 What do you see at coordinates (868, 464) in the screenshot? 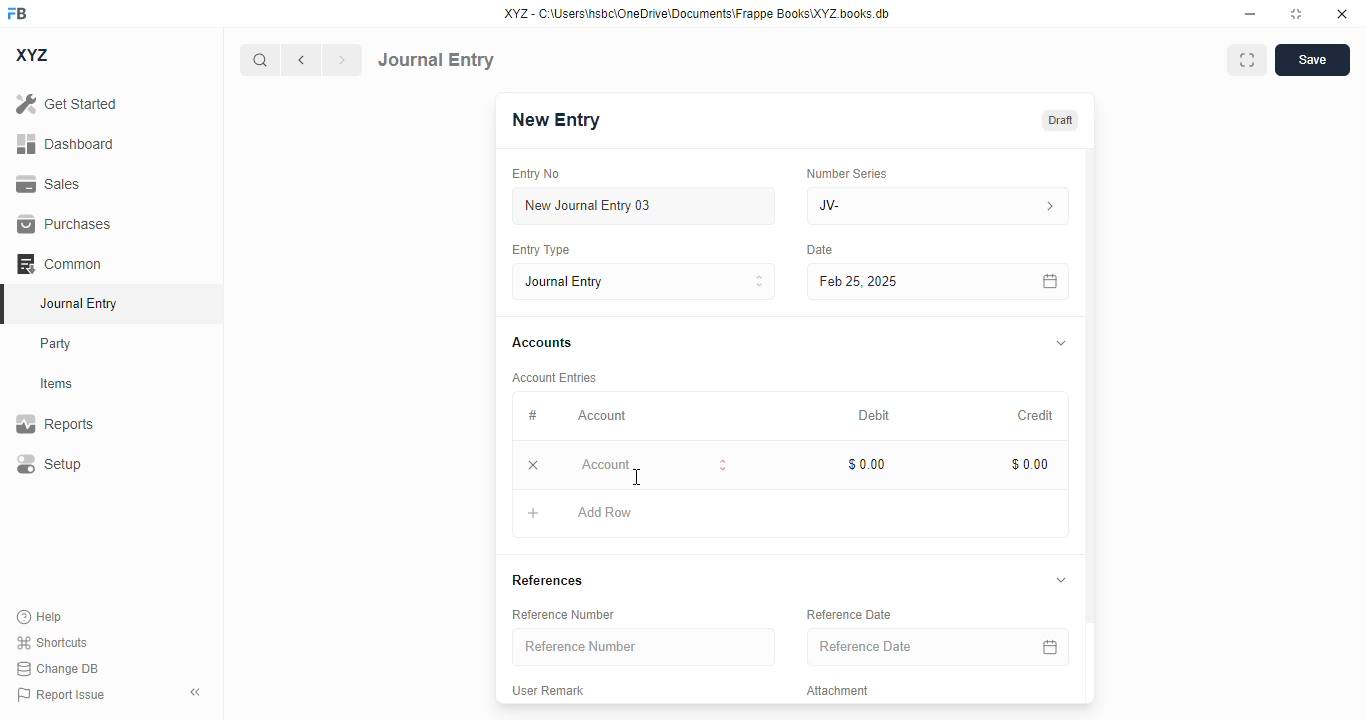
I see `$0.00` at bounding box center [868, 464].